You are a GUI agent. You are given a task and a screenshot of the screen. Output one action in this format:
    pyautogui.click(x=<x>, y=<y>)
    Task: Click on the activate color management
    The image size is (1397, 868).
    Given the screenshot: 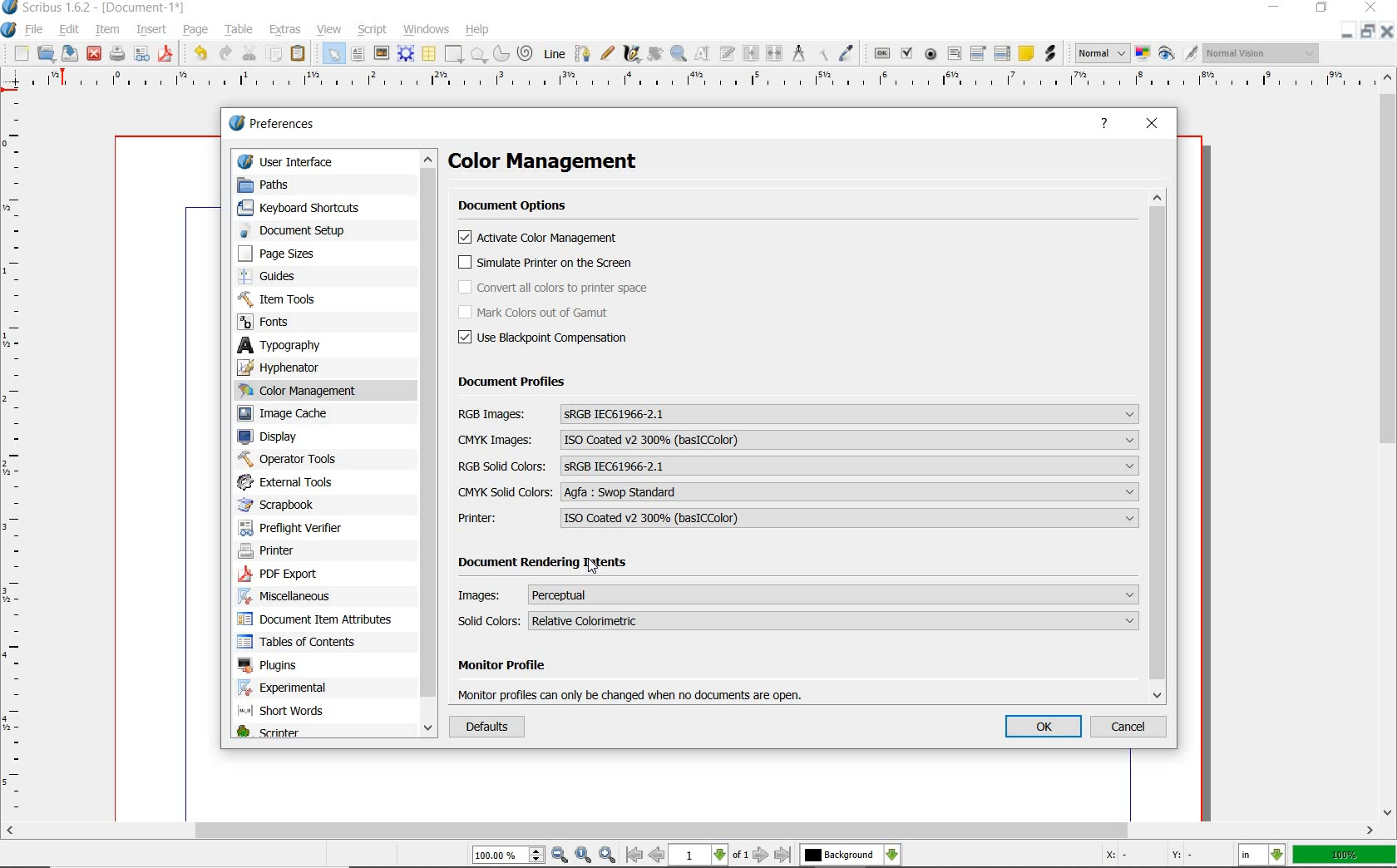 What is the action you would take?
    pyautogui.click(x=541, y=239)
    